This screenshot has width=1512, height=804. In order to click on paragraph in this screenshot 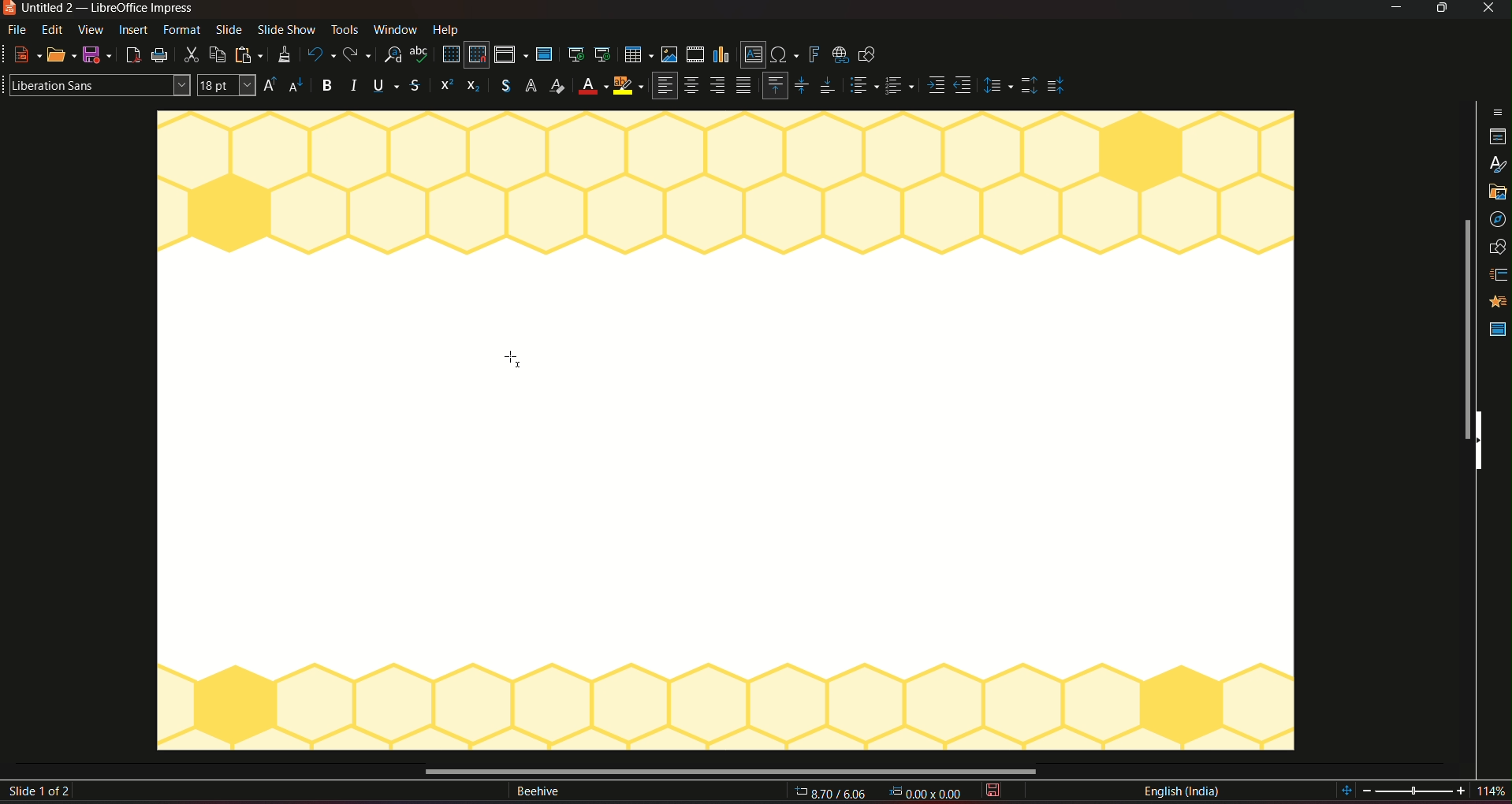, I will do `click(745, 87)`.